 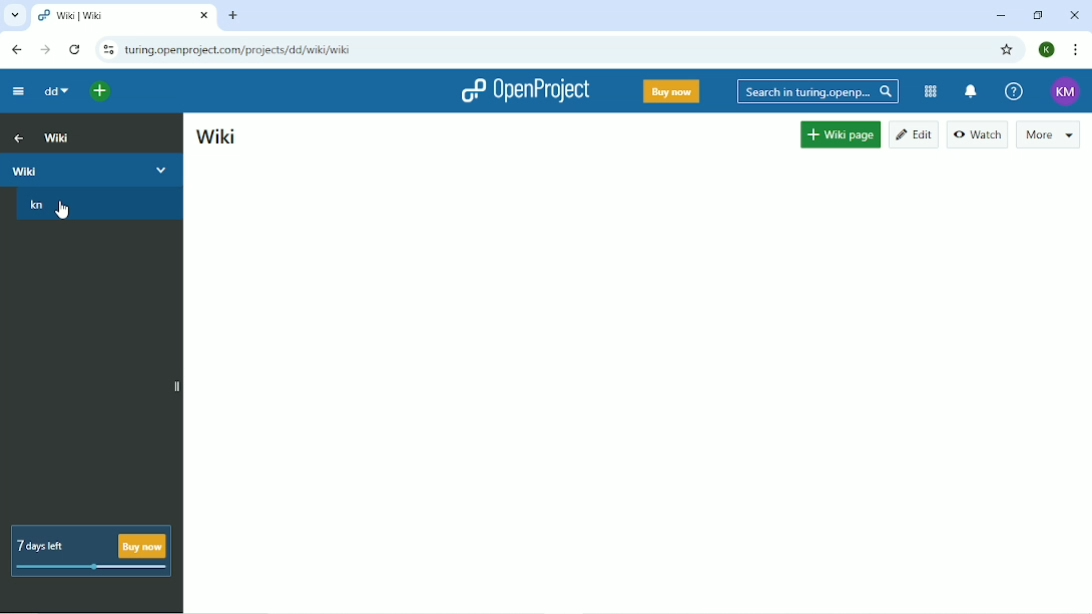 What do you see at coordinates (1072, 15) in the screenshot?
I see `Close` at bounding box center [1072, 15].